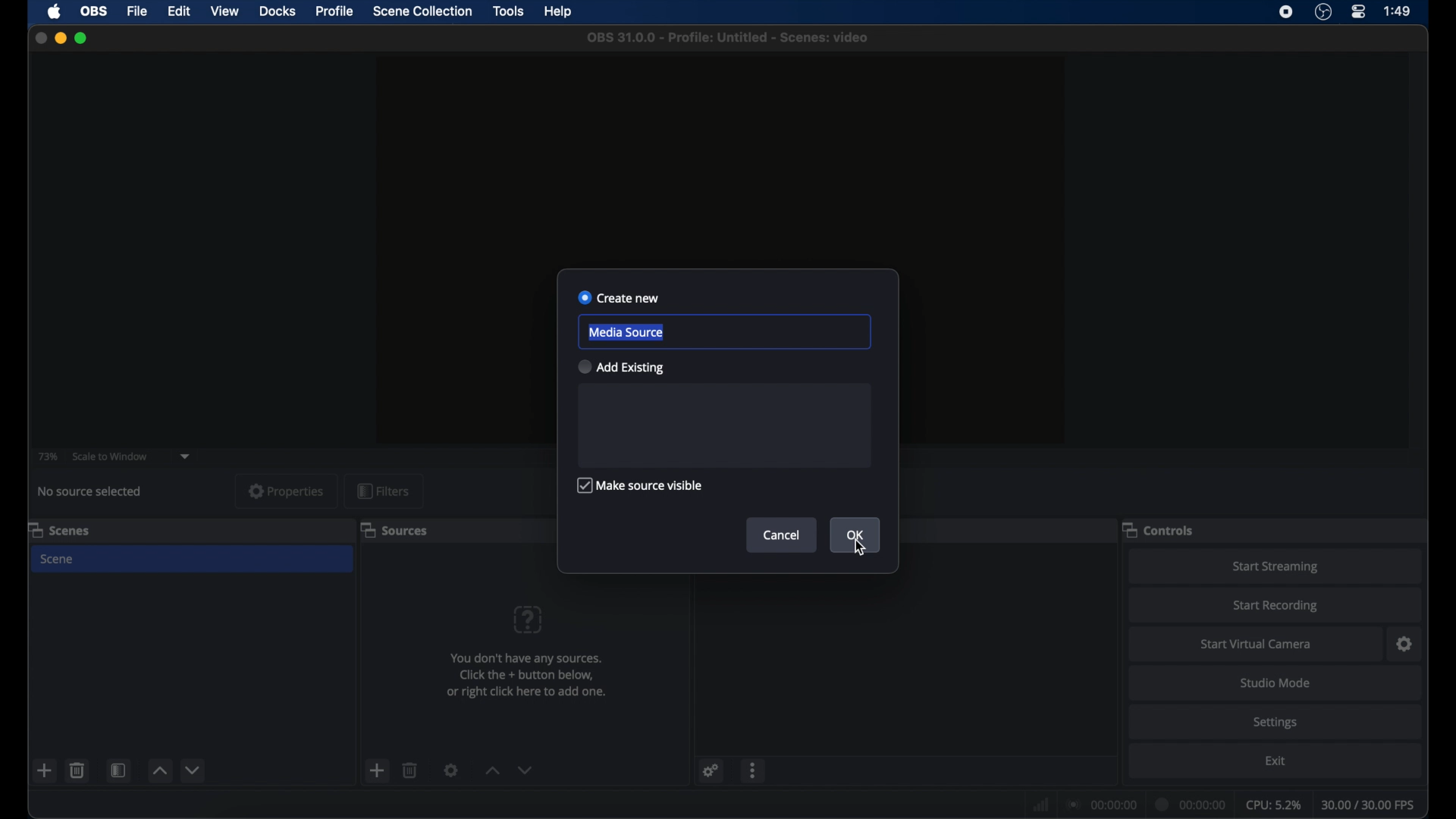 This screenshot has height=819, width=1456. Describe the element at coordinates (54, 12) in the screenshot. I see `apple icon` at that location.